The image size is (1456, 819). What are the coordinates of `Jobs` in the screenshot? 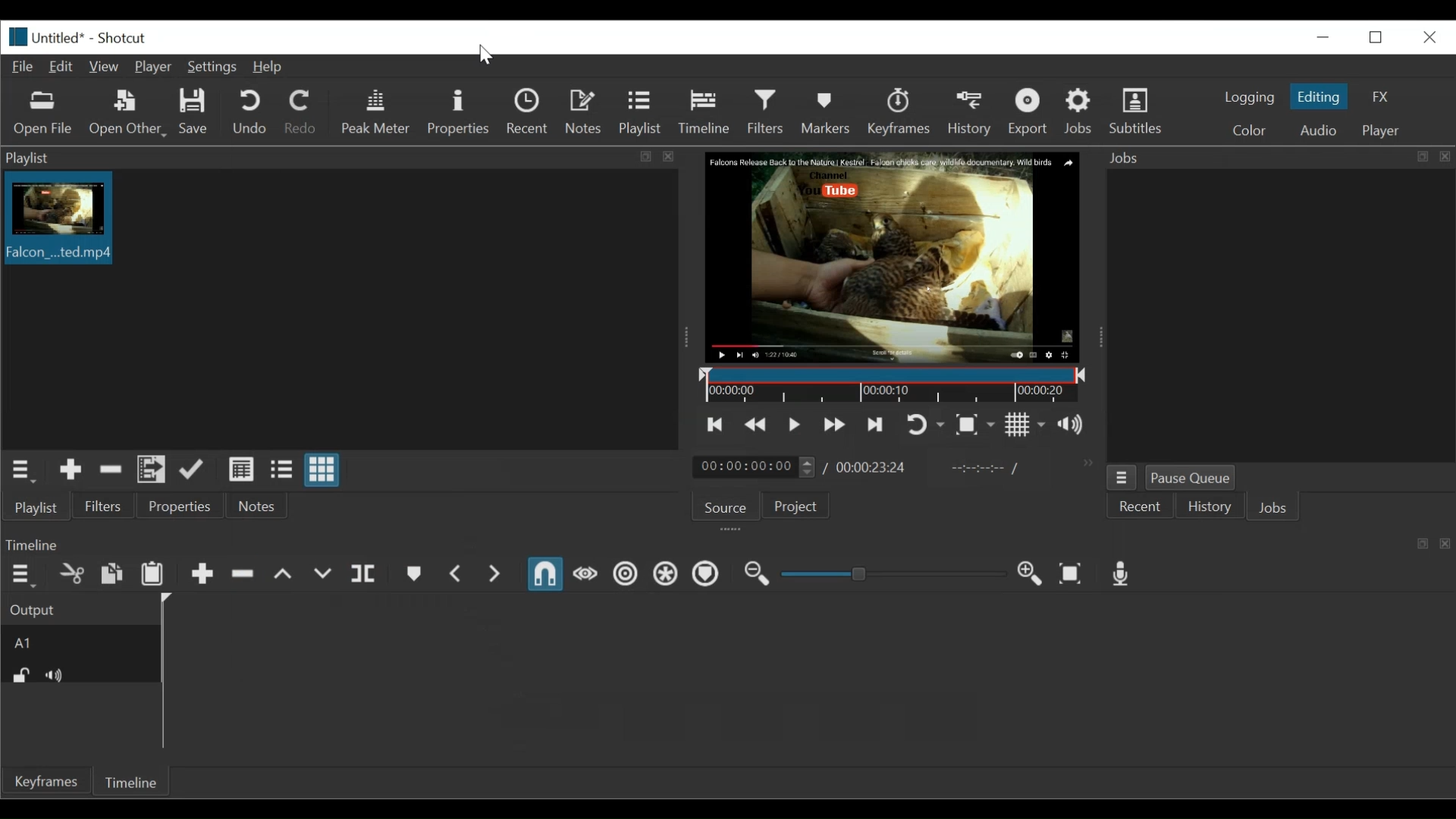 It's located at (1079, 113).